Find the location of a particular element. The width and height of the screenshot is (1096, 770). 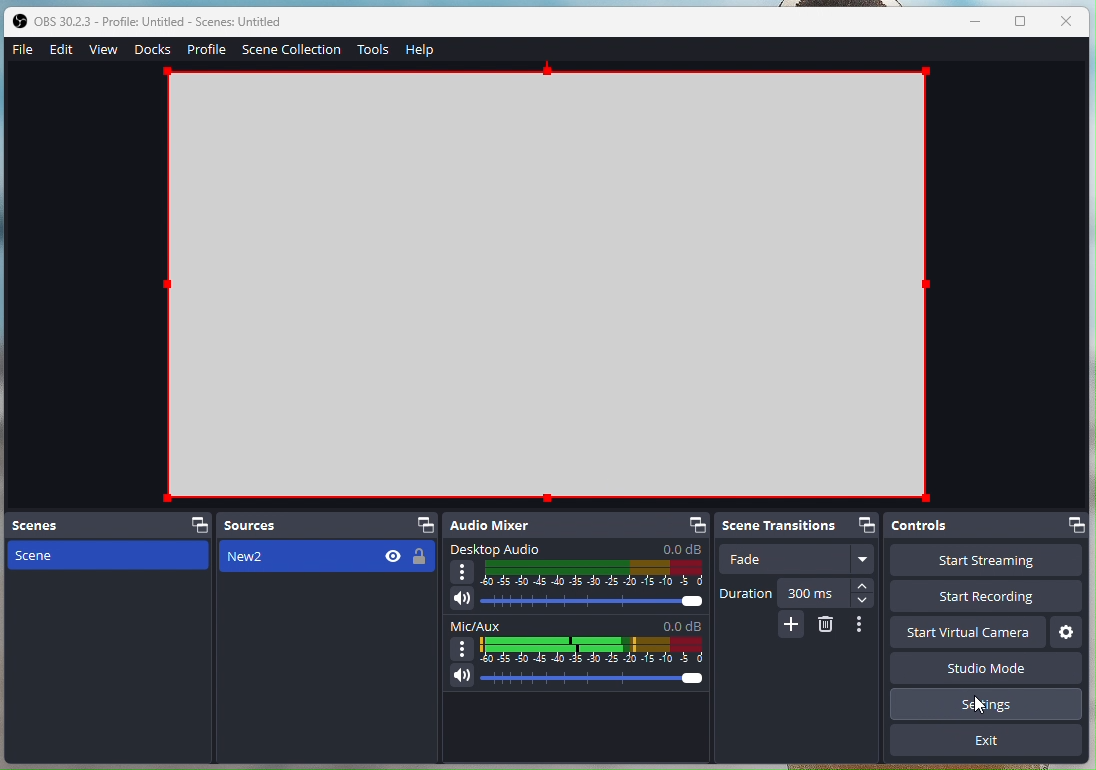

add is located at coordinates (790, 625).